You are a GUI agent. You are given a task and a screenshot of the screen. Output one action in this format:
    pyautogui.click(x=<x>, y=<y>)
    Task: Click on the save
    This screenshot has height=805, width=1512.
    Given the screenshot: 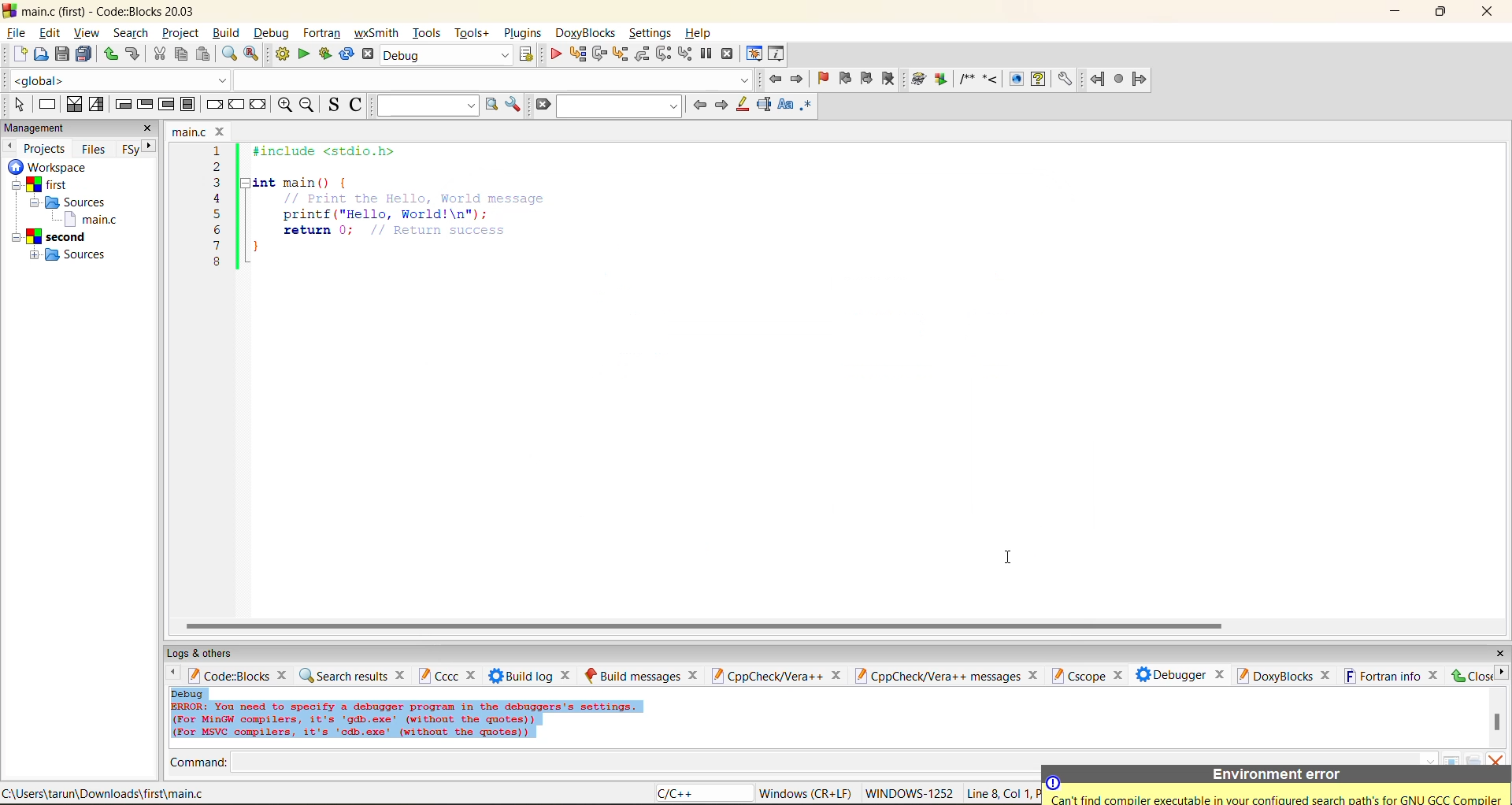 What is the action you would take?
    pyautogui.click(x=63, y=54)
    